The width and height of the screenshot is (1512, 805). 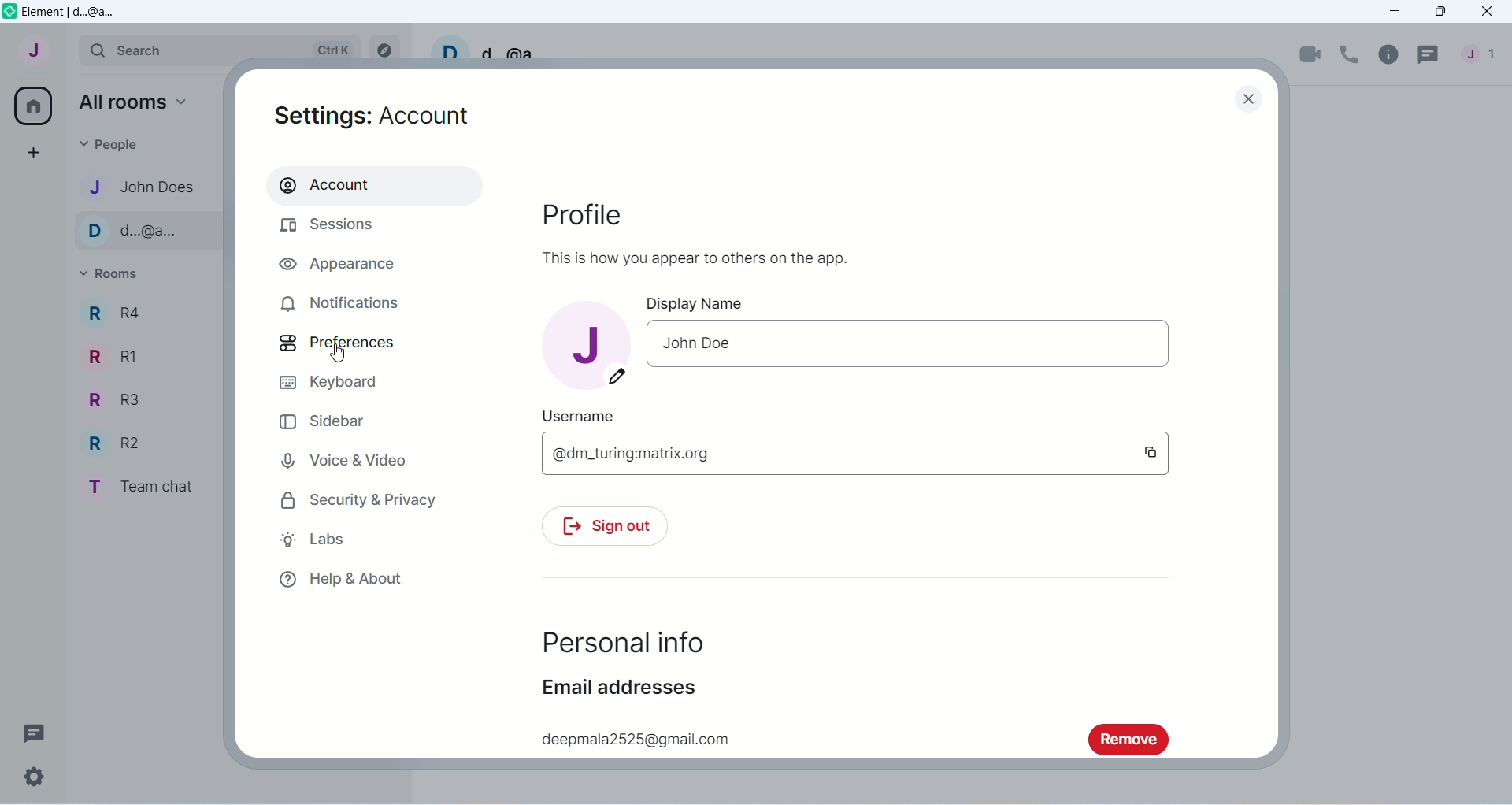 I want to click on Username, so click(x=582, y=416).